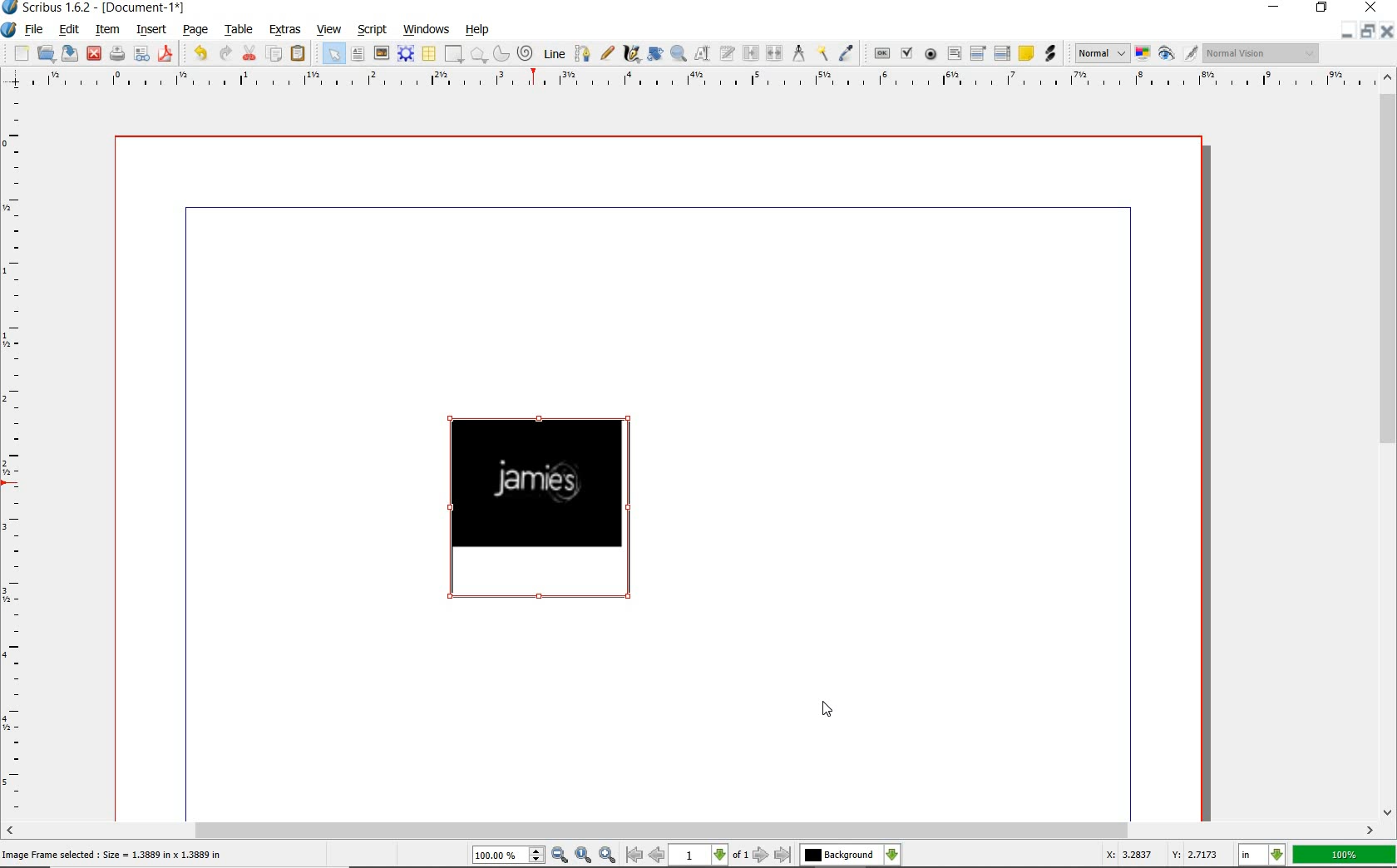 This screenshot has height=868, width=1397. What do you see at coordinates (1261, 55) in the screenshot?
I see `visual appearance of the display` at bounding box center [1261, 55].